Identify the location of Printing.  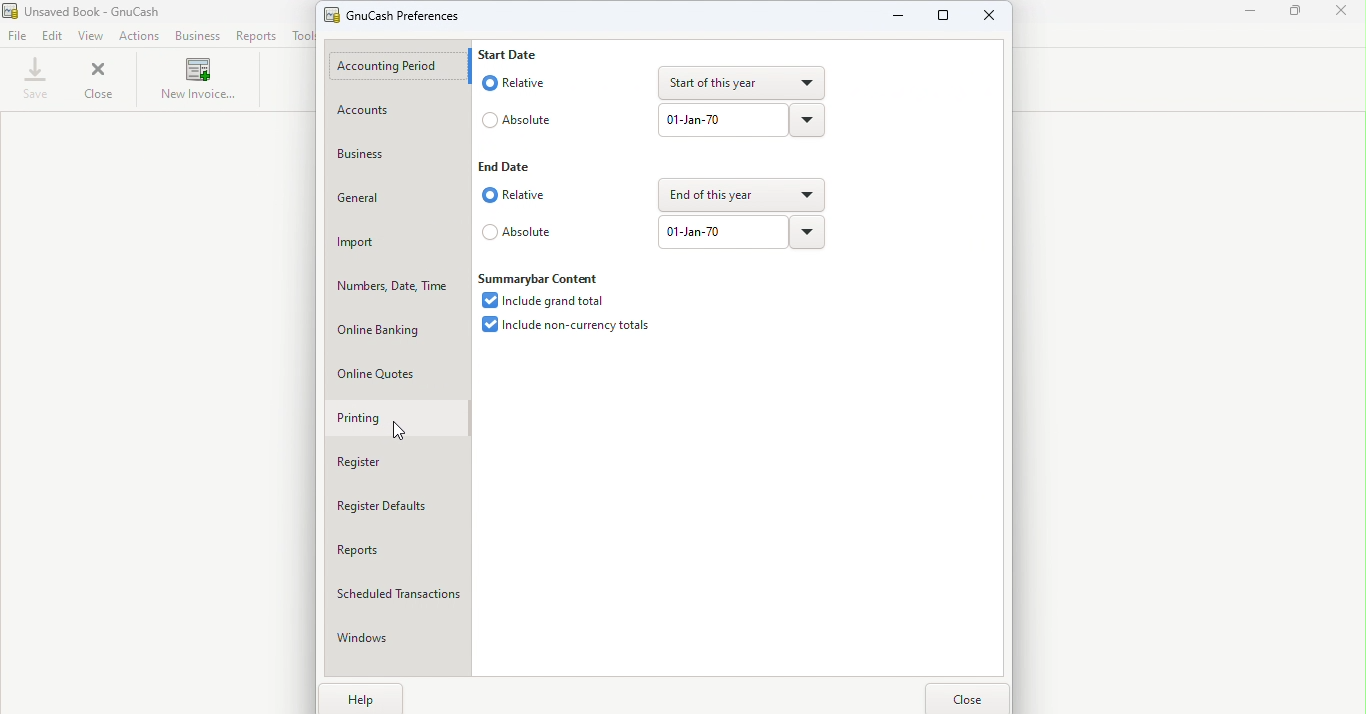
(395, 418).